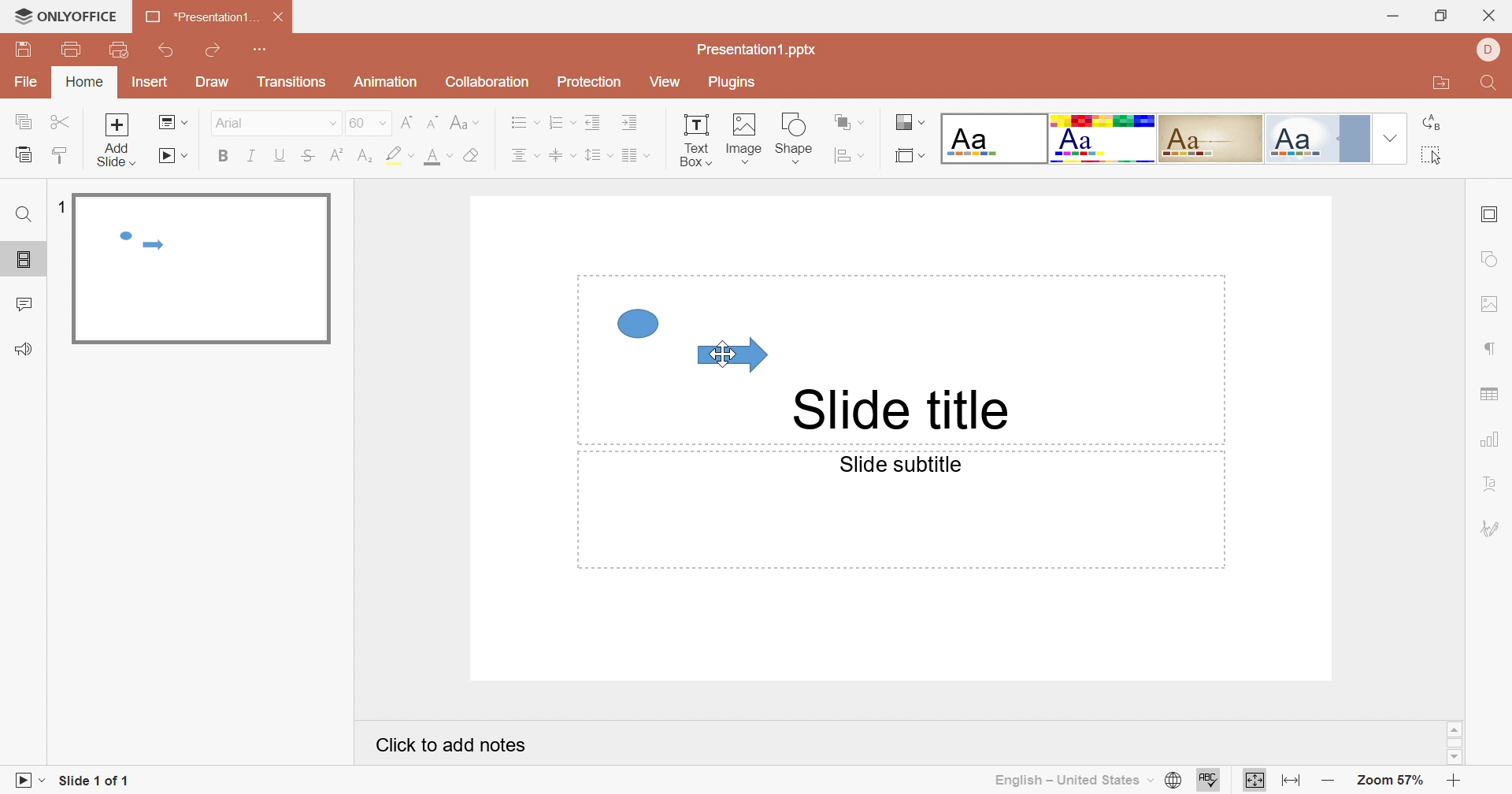 The width and height of the screenshot is (1512, 794). I want to click on Slide title, so click(894, 407).